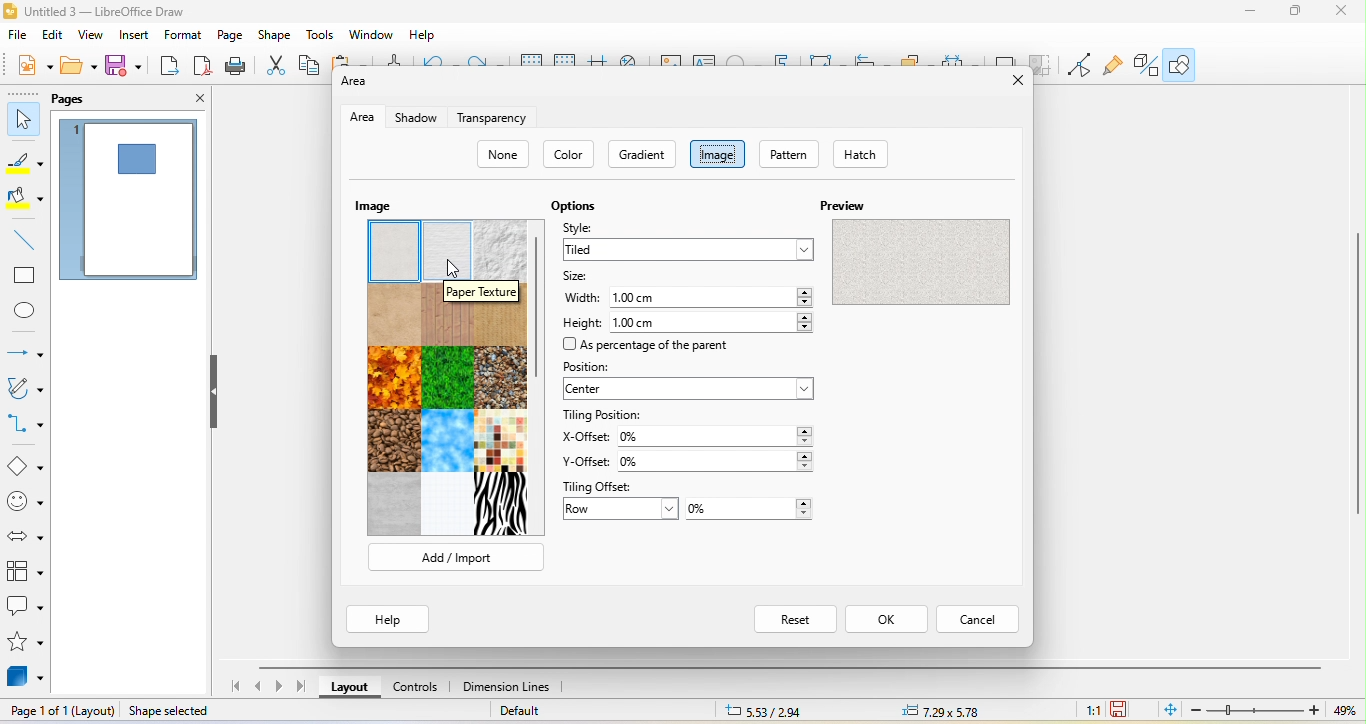 This screenshot has height=724, width=1366. Describe the element at coordinates (593, 229) in the screenshot. I see `style` at that location.